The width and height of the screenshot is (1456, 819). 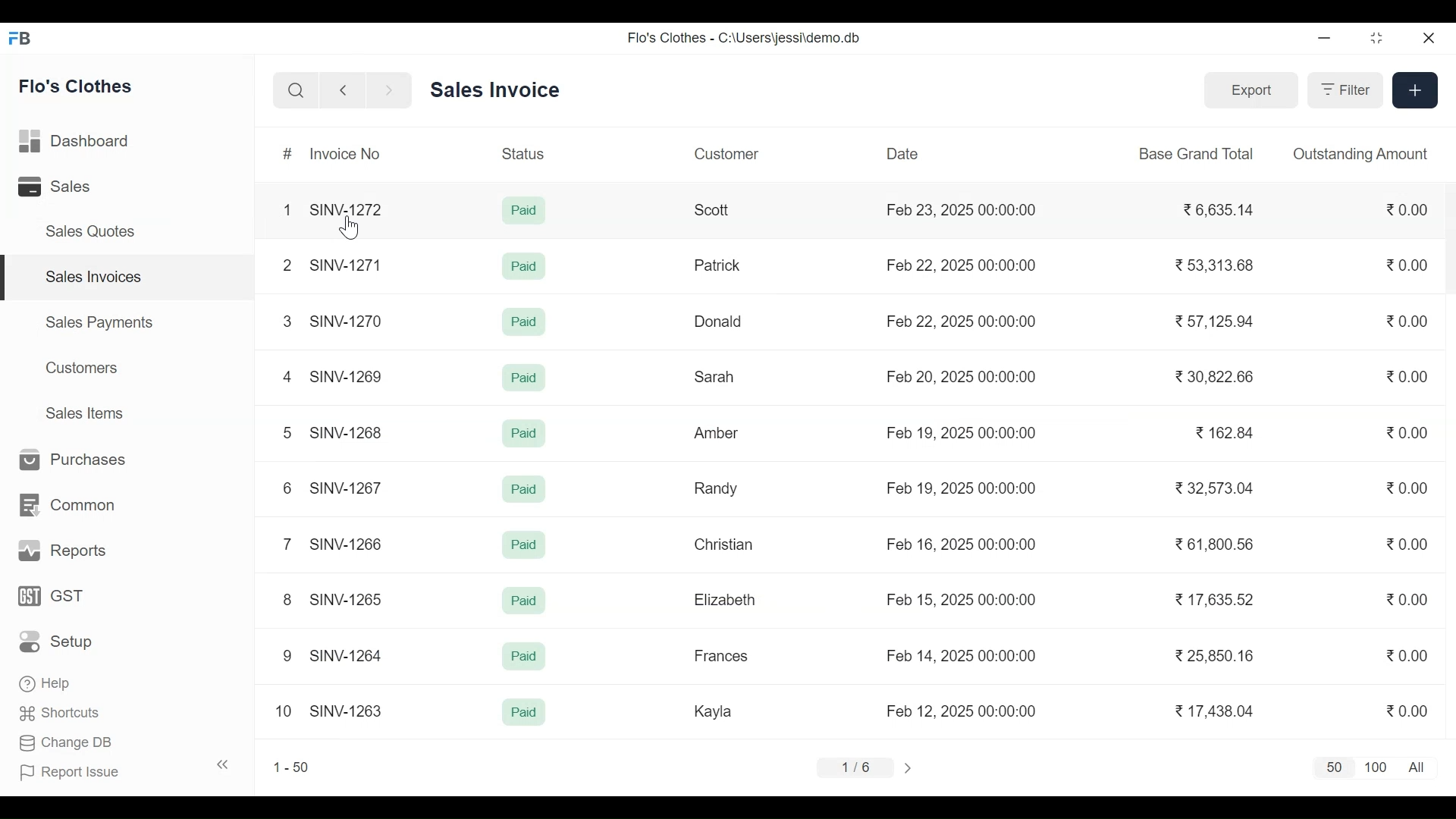 I want to click on 0.00, so click(x=1407, y=376).